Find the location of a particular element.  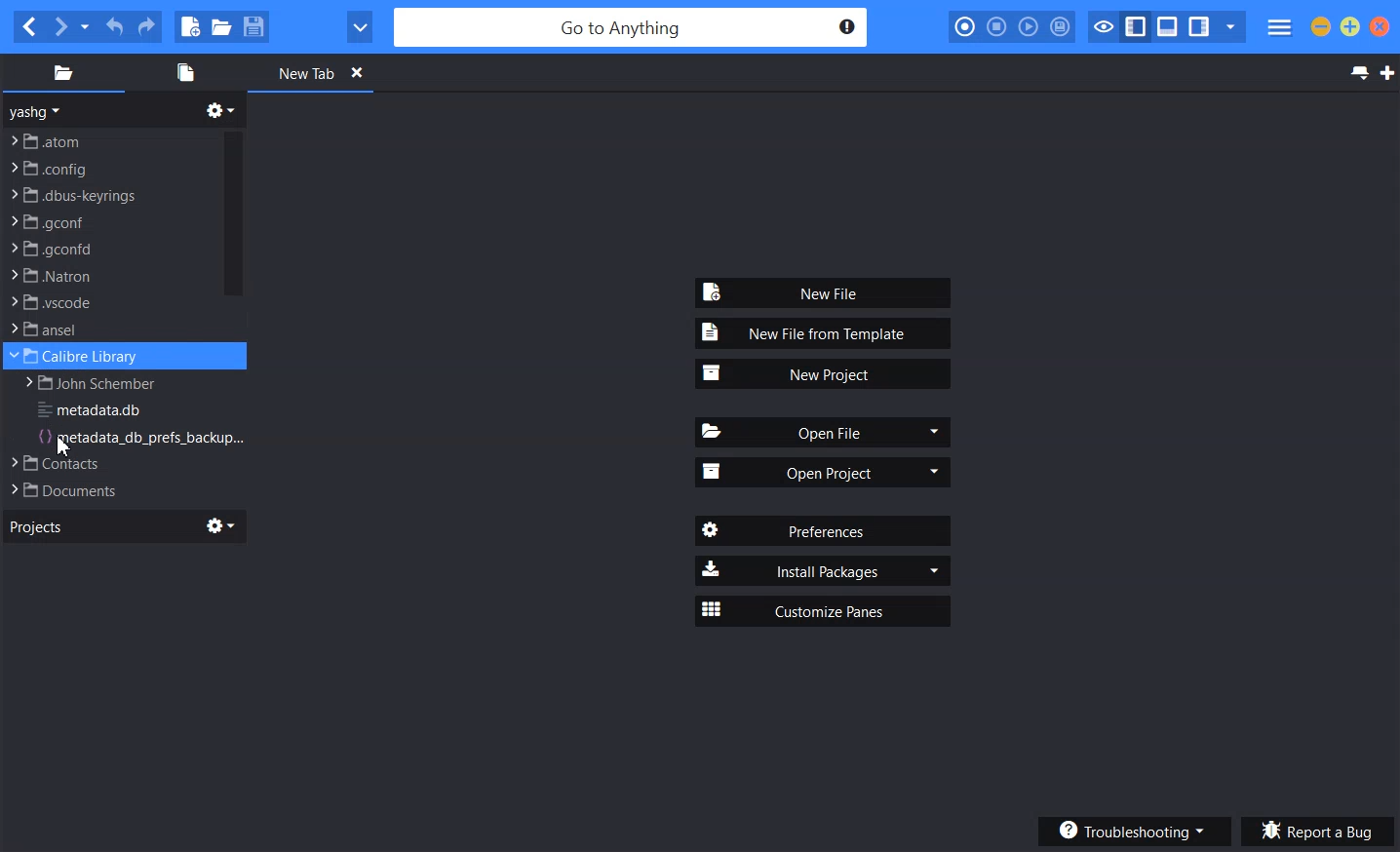

New Project is located at coordinates (824, 374).